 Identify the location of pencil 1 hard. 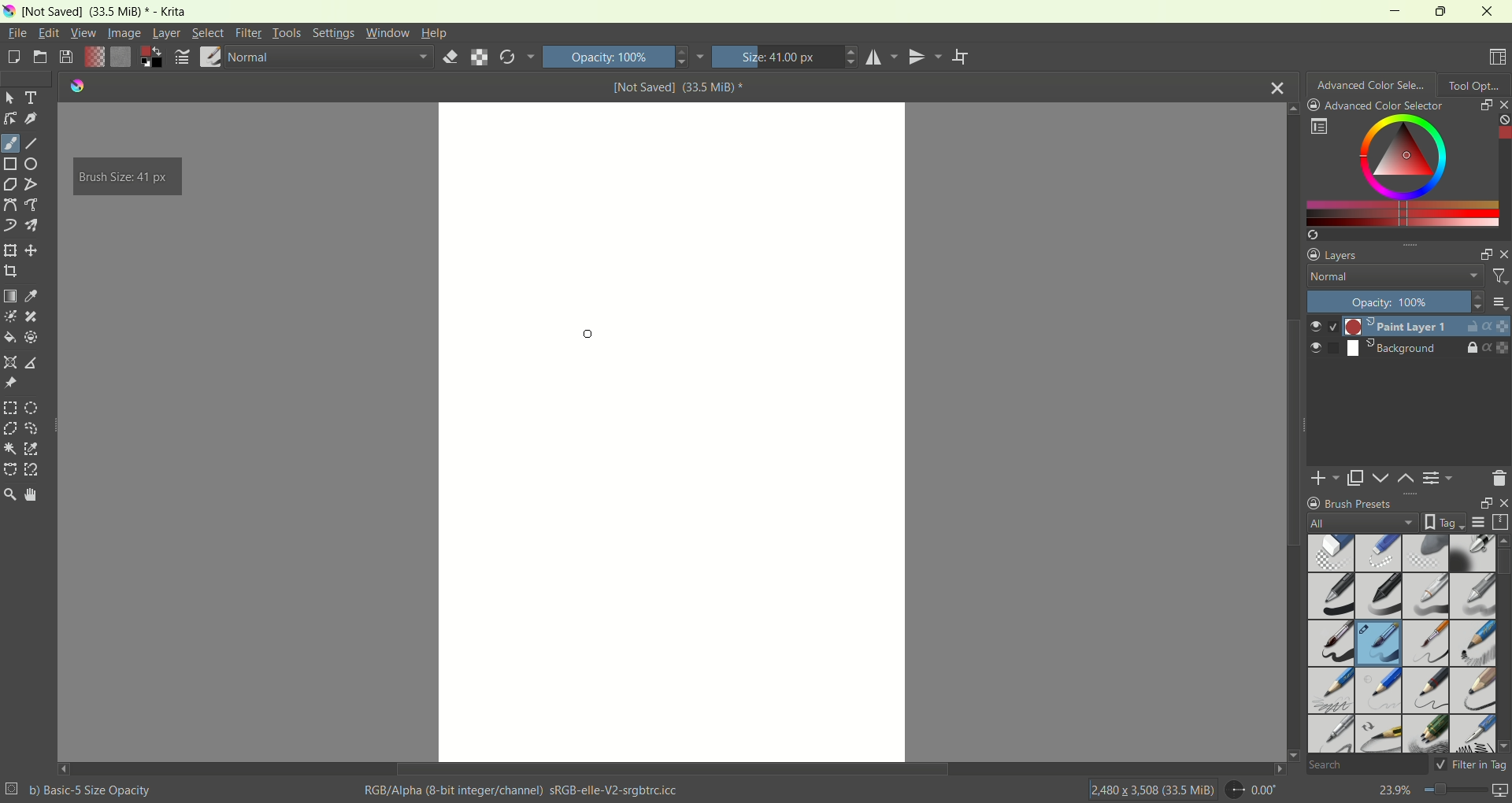
(1380, 690).